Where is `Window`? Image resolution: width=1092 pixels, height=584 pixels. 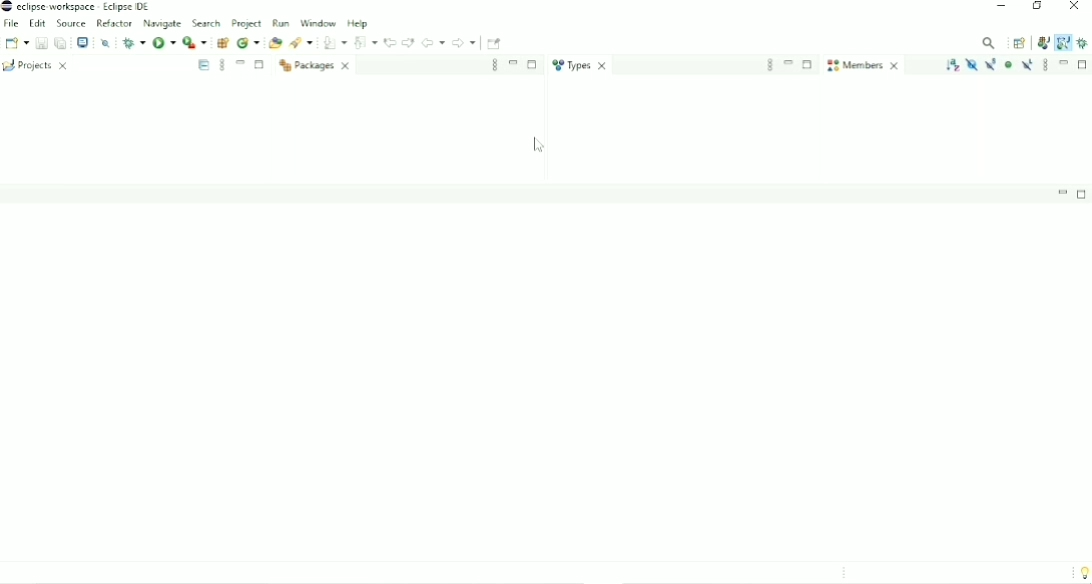 Window is located at coordinates (318, 23).